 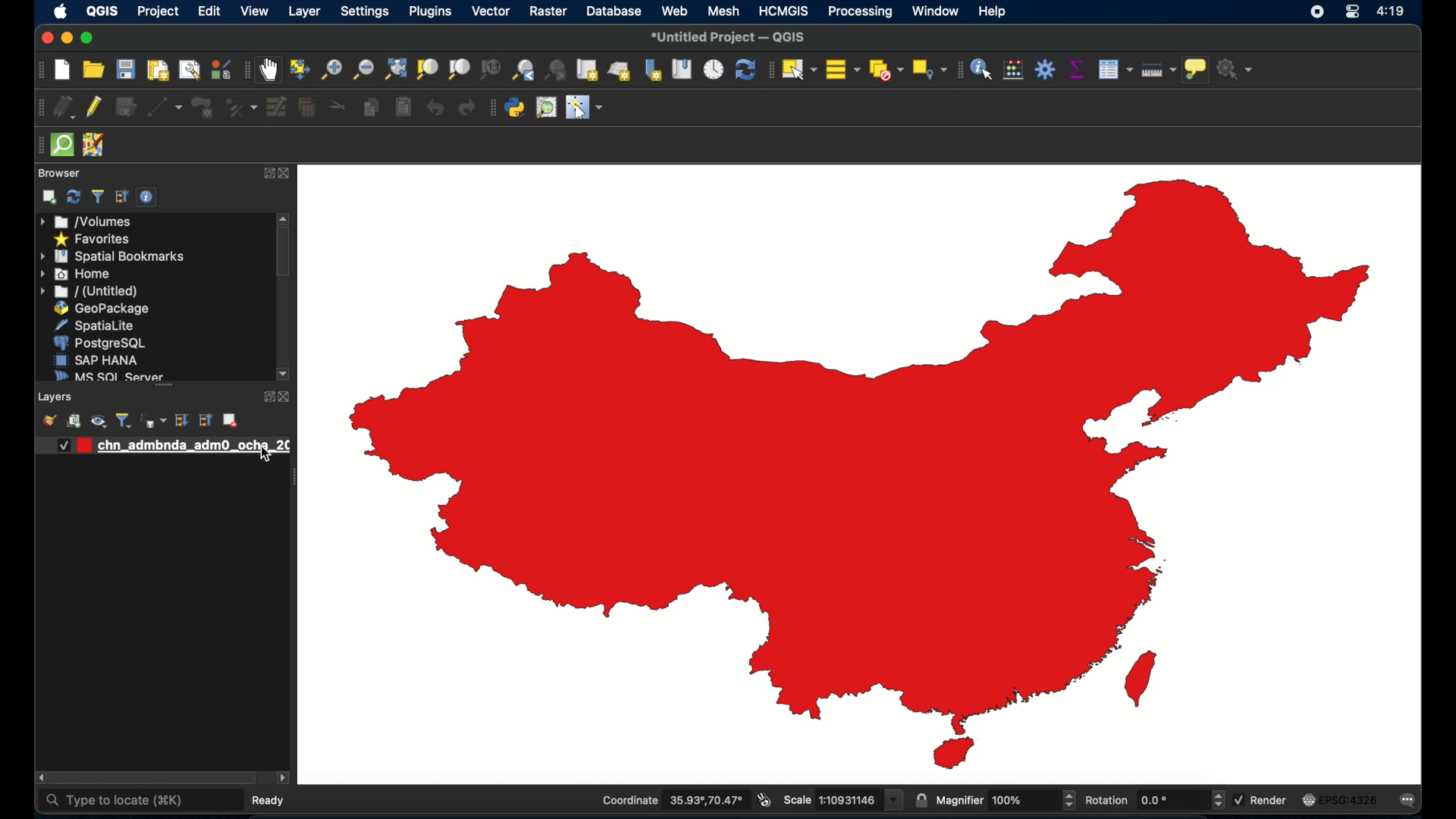 What do you see at coordinates (842, 800) in the screenshot?
I see `scale` at bounding box center [842, 800].